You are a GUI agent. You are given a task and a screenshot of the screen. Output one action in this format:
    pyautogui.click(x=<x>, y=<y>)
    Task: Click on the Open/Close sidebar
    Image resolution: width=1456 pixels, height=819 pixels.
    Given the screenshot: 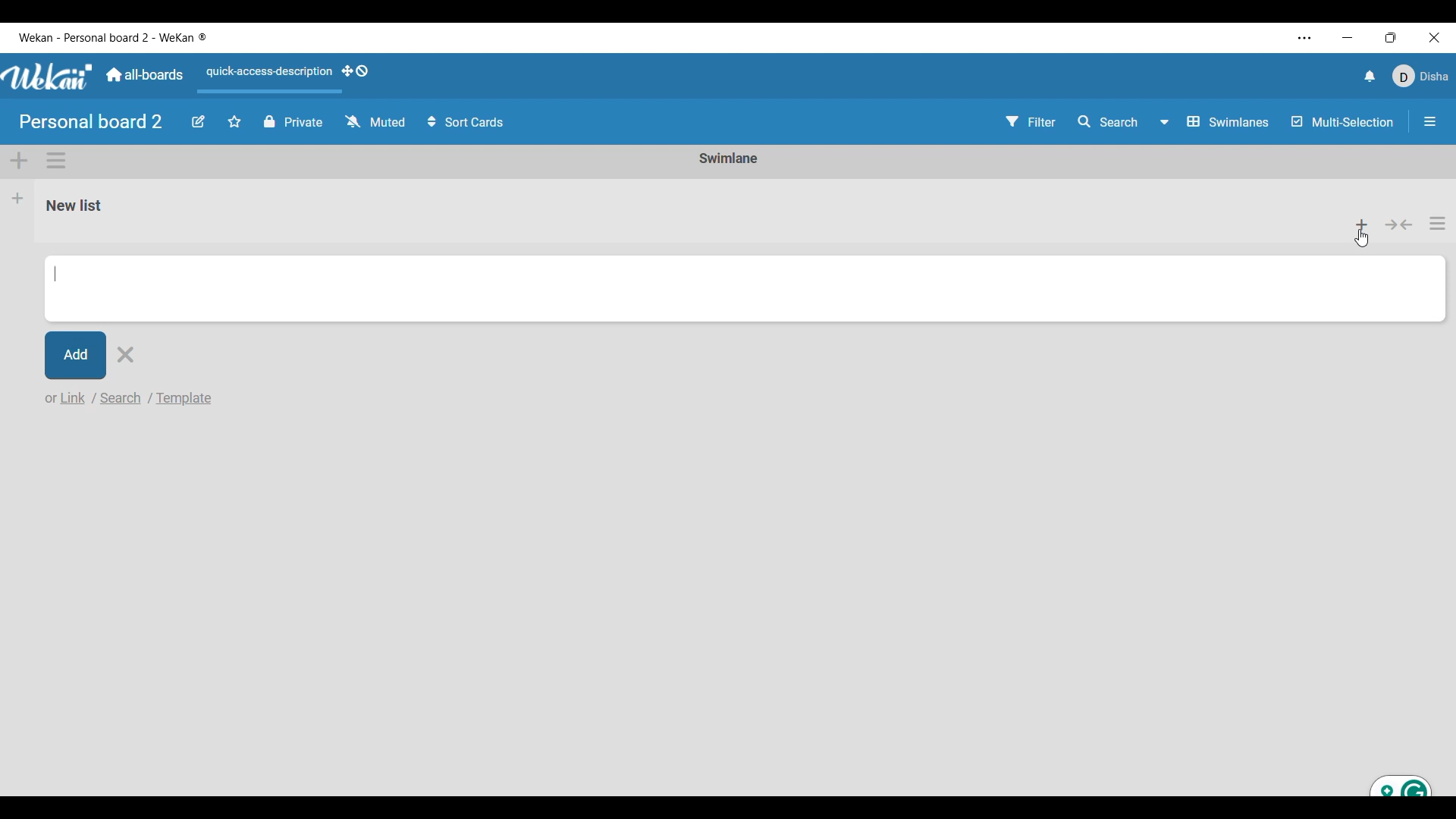 What is the action you would take?
    pyautogui.click(x=1430, y=121)
    